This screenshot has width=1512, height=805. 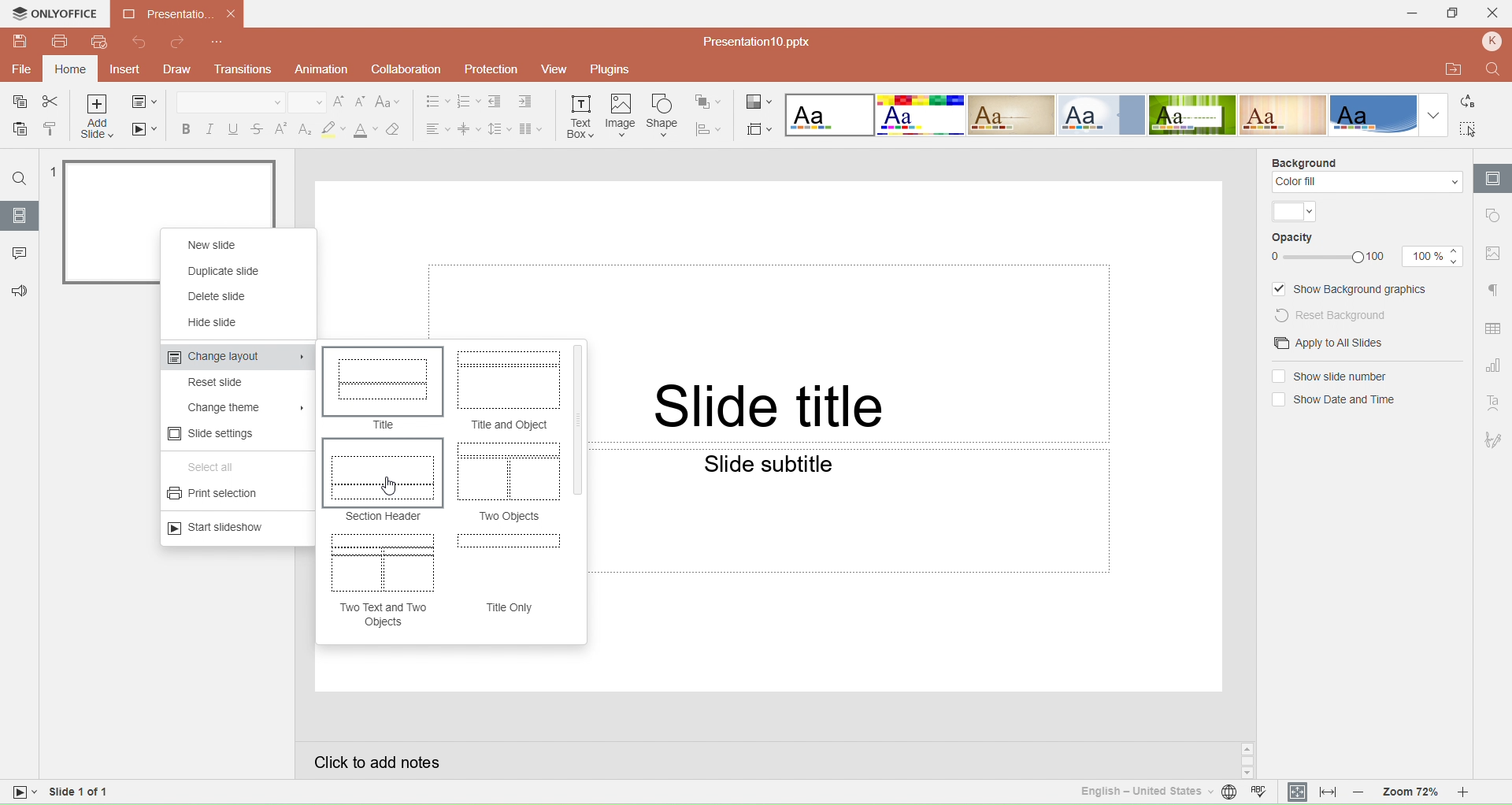 What do you see at coordinates (1295, 212) in the screenshot?
I see `Color theme` at bounding box center [1295, 212].